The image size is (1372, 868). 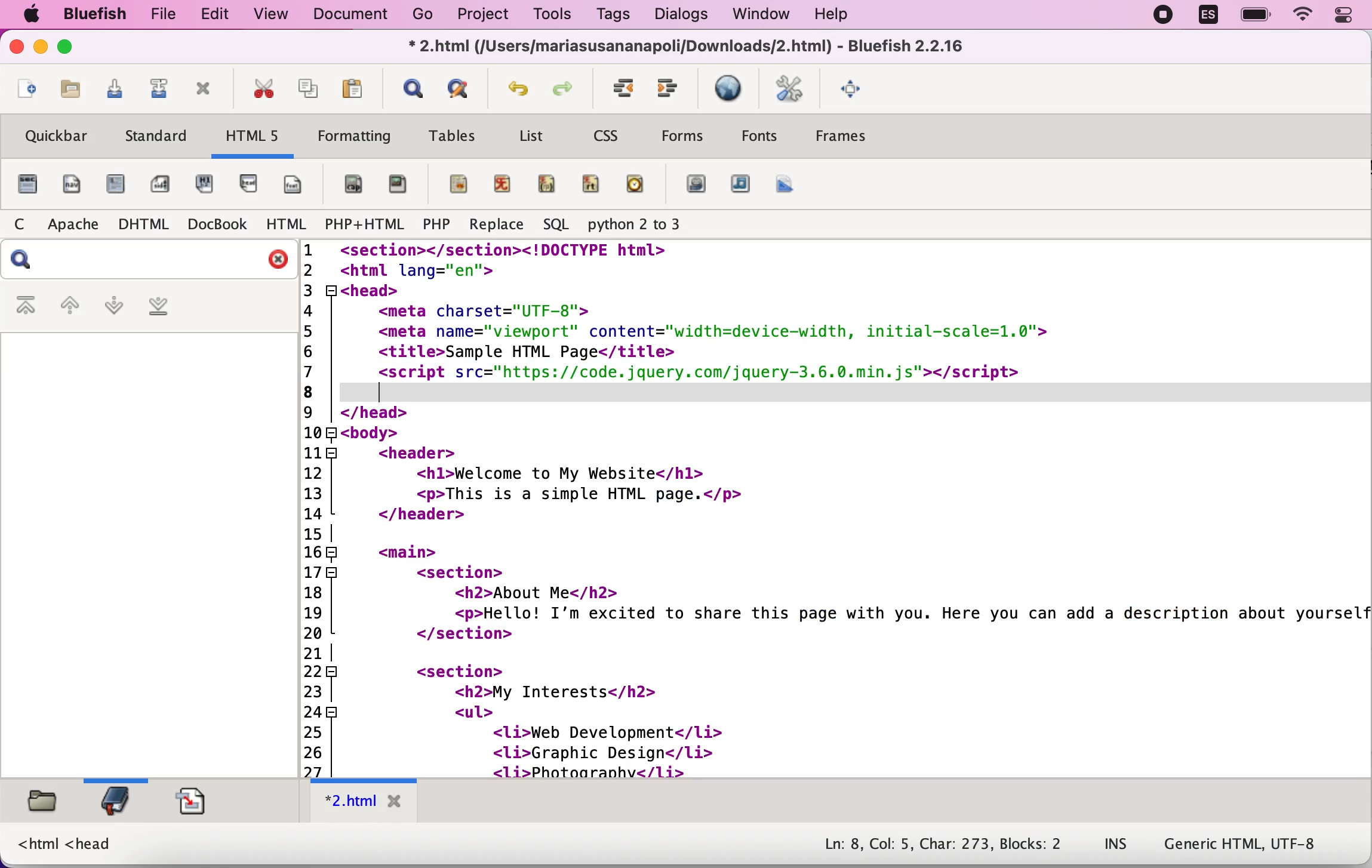 What do you see at coordinates (741, 184) in the screenshot?
I see `audio` at bounding box center [741, 184].